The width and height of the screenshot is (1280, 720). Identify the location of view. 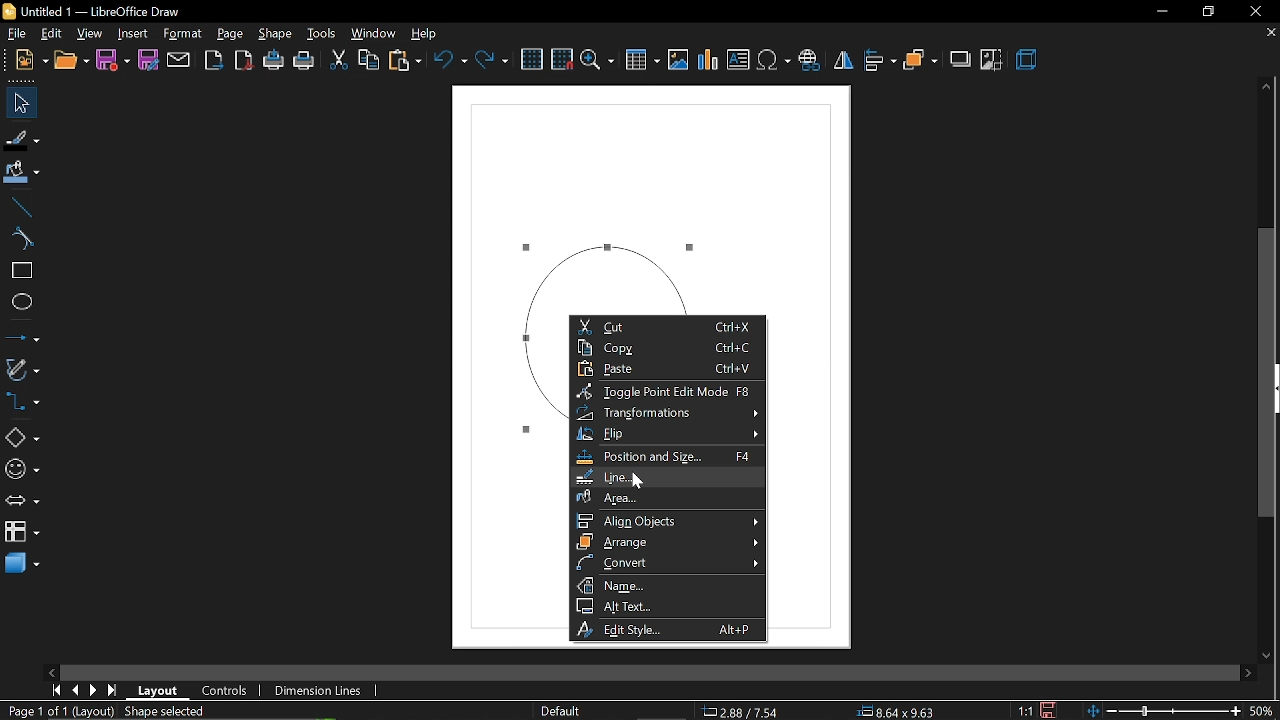
(88, 34).